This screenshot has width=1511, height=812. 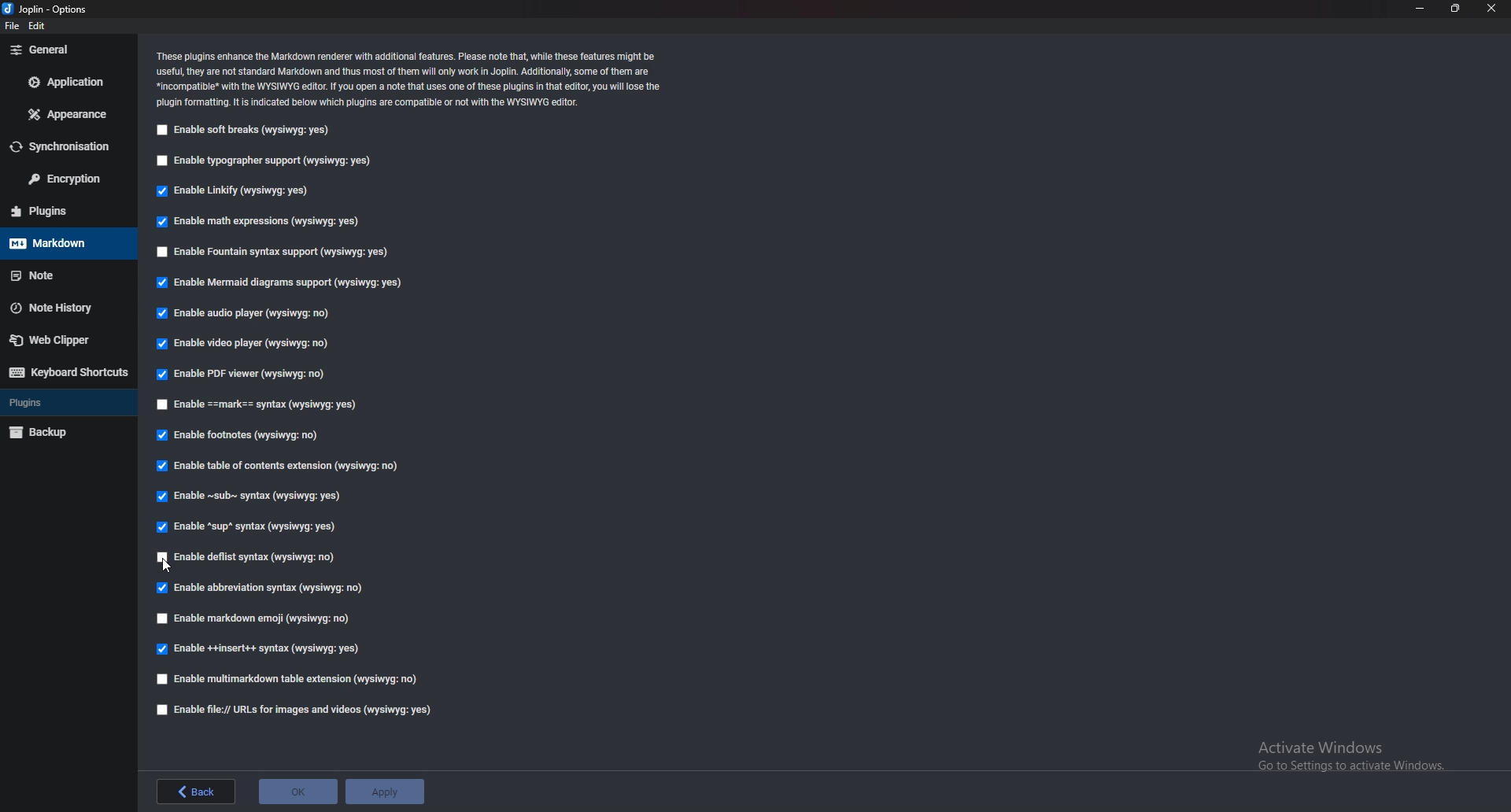 What do you see at coordinates (168, 564) in the screenshot?
I see `cursor` at bounding box center [168, 564].